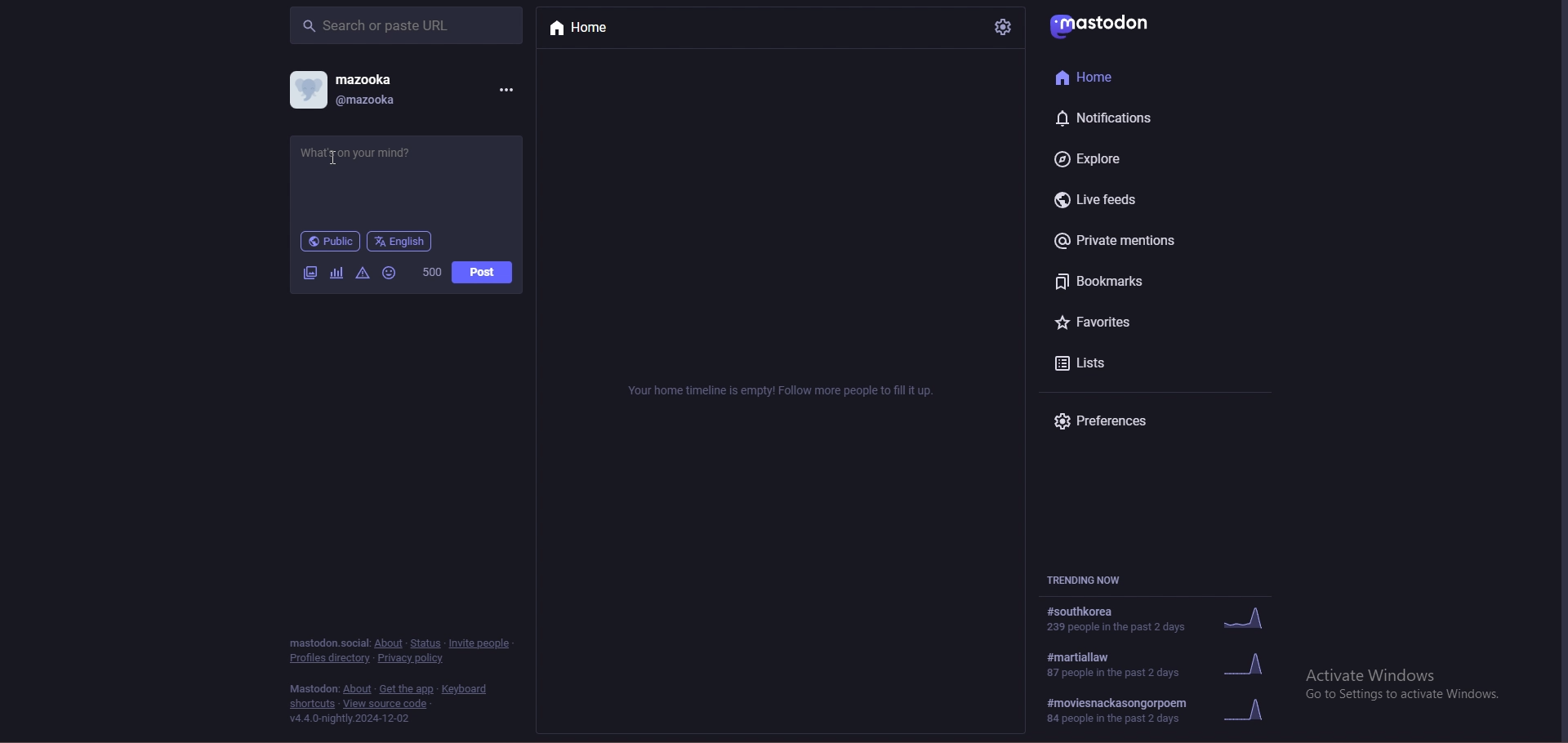 The image size is (1568, 743). Describe the element at coordinates (1162, 617) in the screenshot. I see `trend` at that location.